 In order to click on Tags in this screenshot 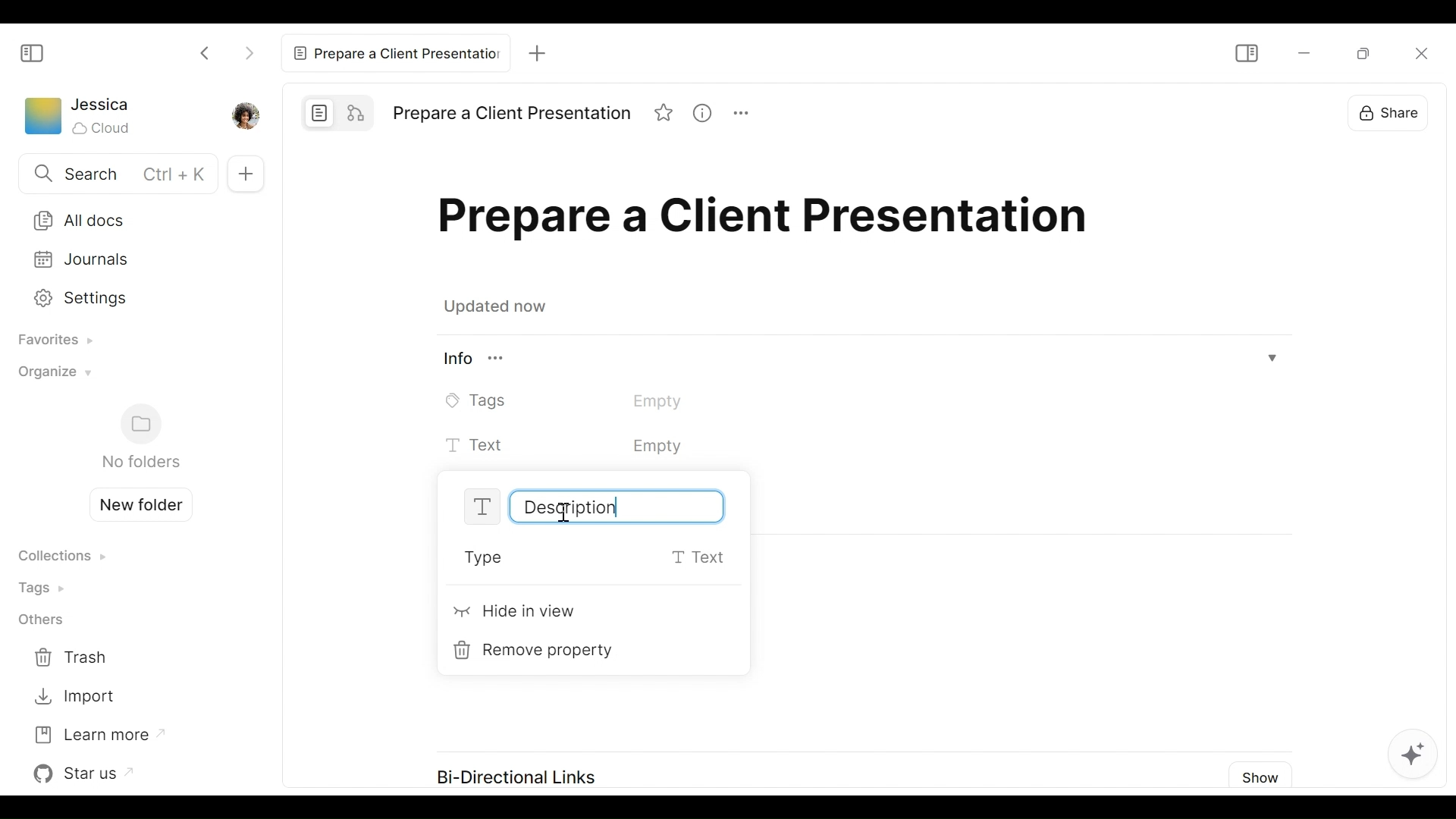, I will do `click(585, 400)`.